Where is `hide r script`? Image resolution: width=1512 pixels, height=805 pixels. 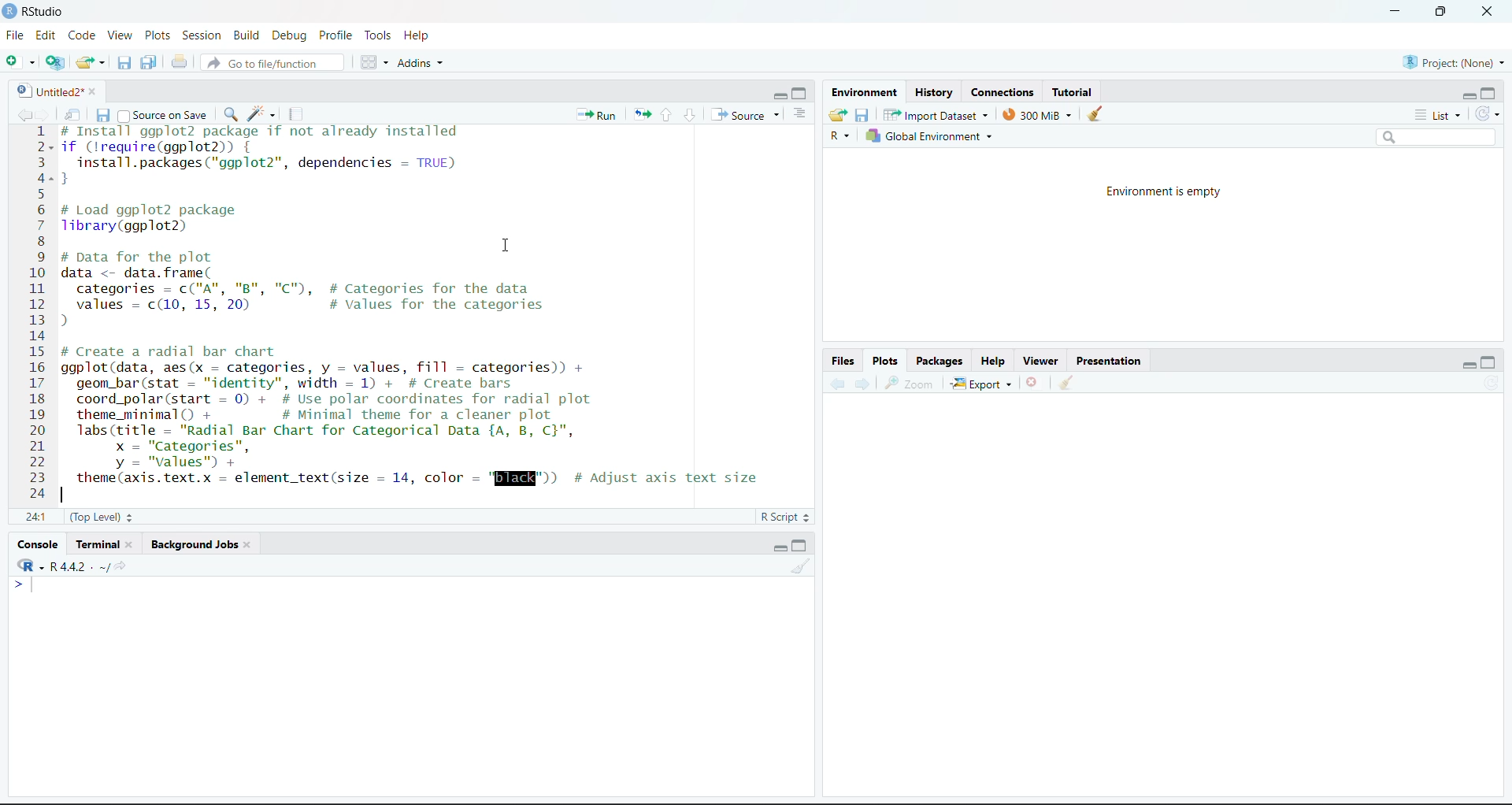
hide r script is located at coordinates (774, 95).